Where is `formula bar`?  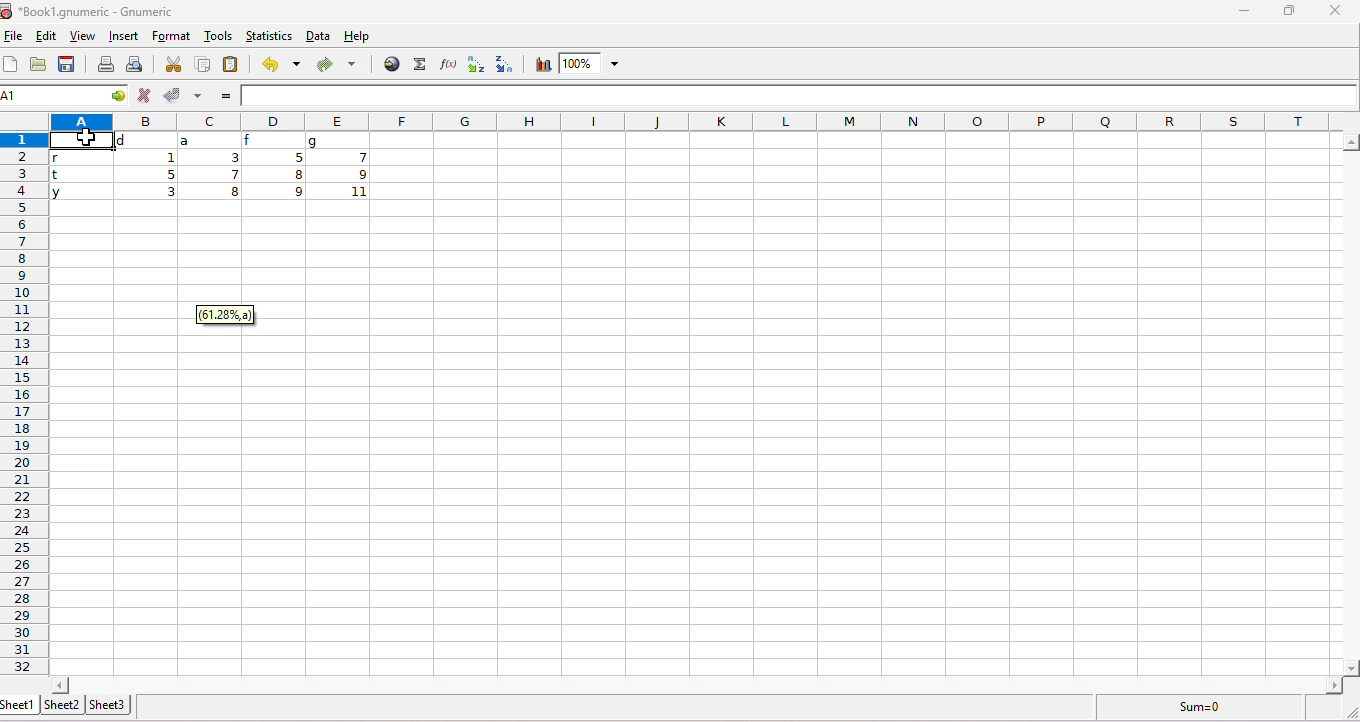 formula bar is located at coordinates (800, 96).